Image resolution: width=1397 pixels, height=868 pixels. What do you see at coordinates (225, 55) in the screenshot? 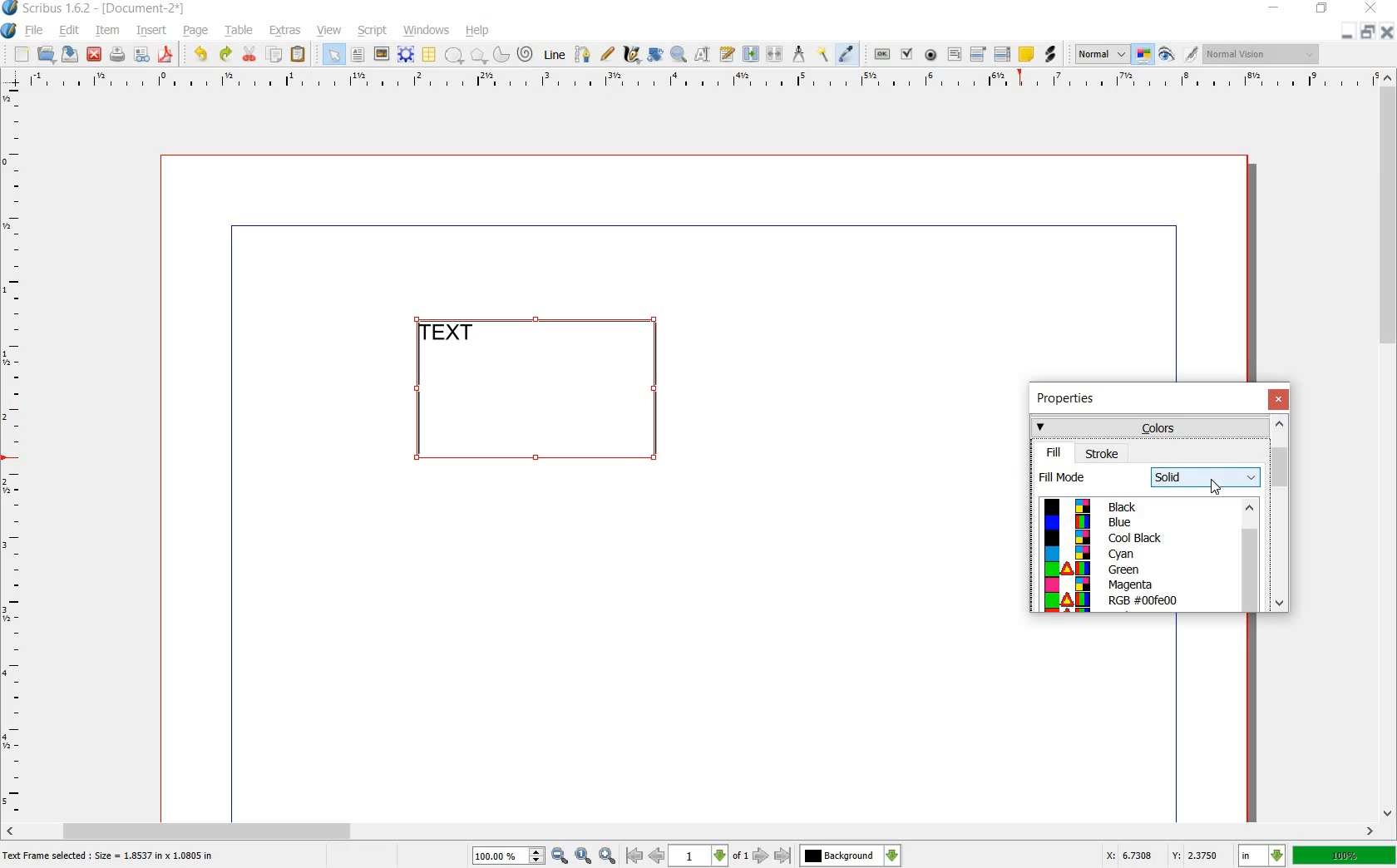
I see `redo` at bounding box center [225, 55].